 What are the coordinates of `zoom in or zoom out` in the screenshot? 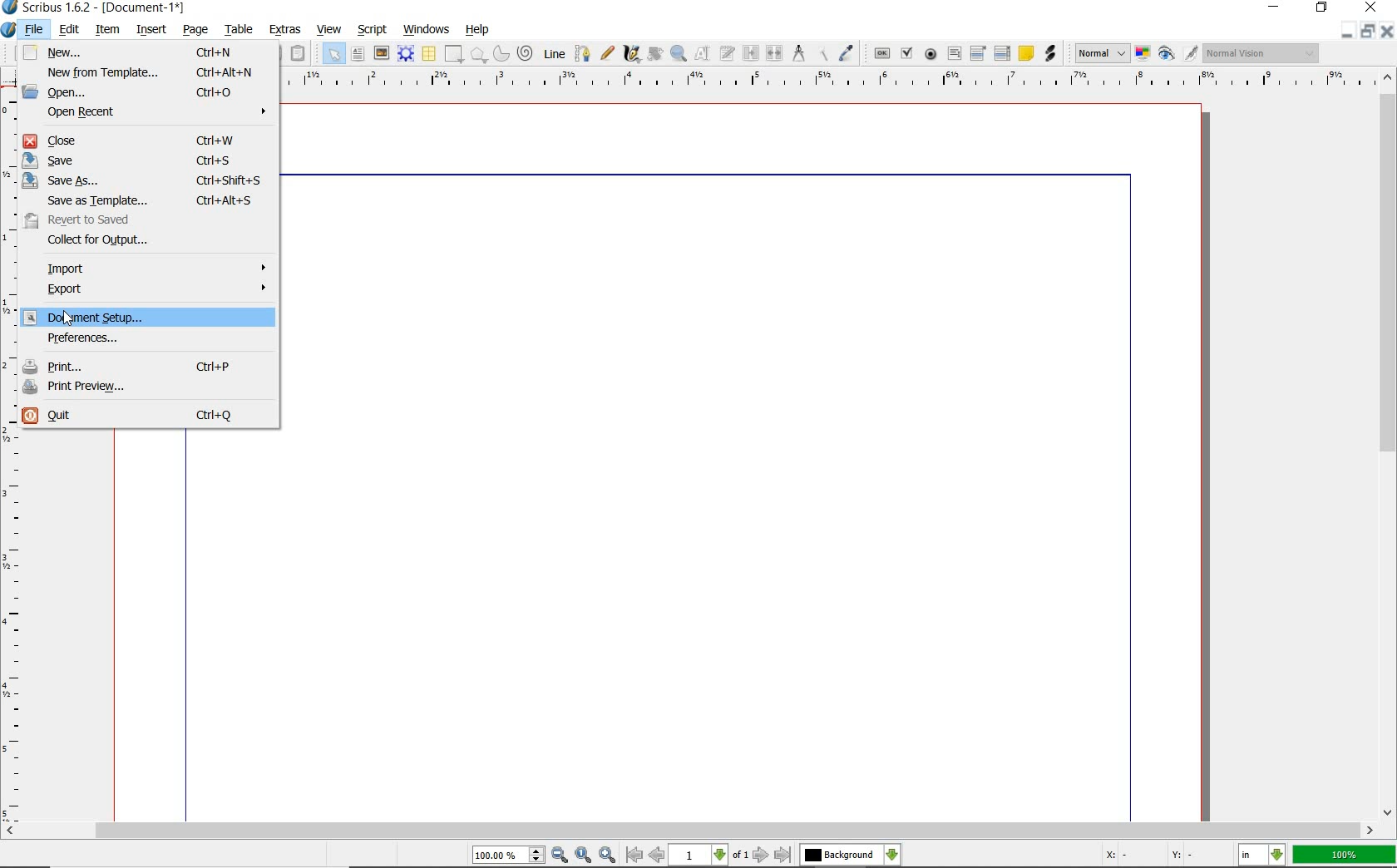 It's located at (679, 55).